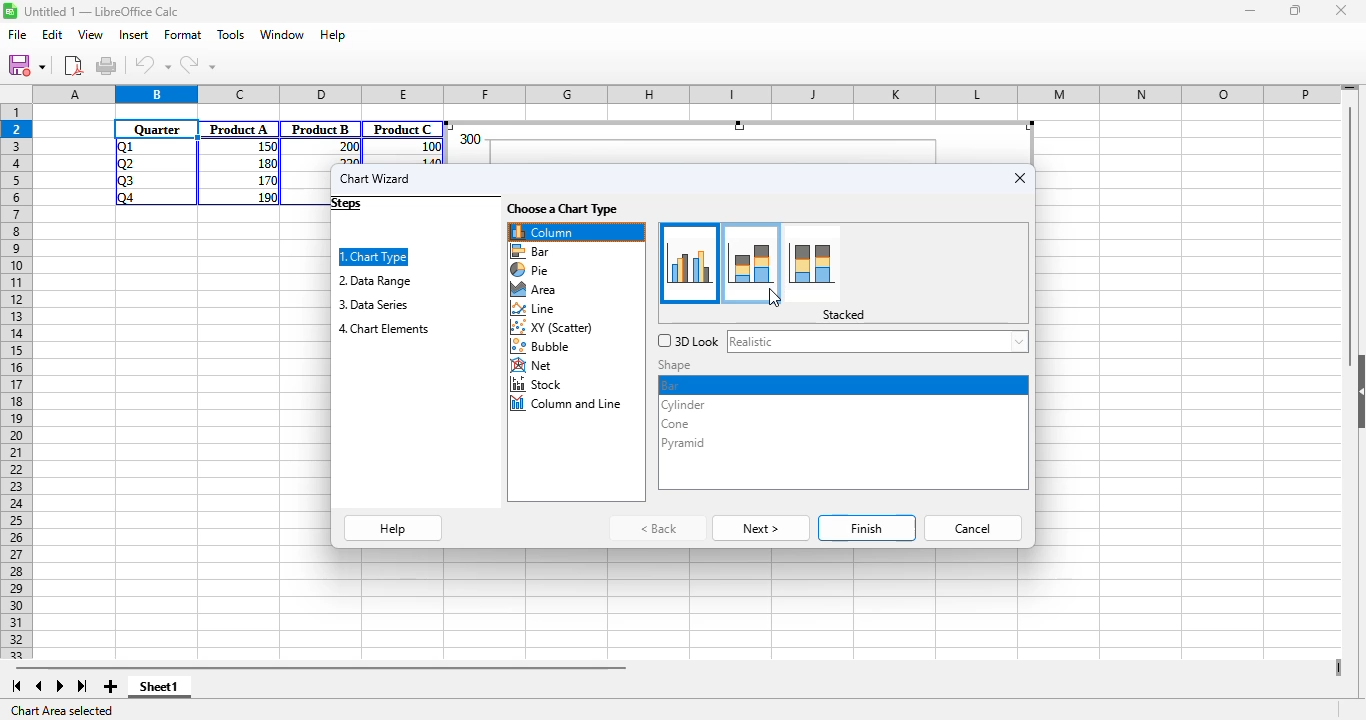 The height and width of the screenshot is (720, 1366). I want to click on minimize, so click(1251, 12).